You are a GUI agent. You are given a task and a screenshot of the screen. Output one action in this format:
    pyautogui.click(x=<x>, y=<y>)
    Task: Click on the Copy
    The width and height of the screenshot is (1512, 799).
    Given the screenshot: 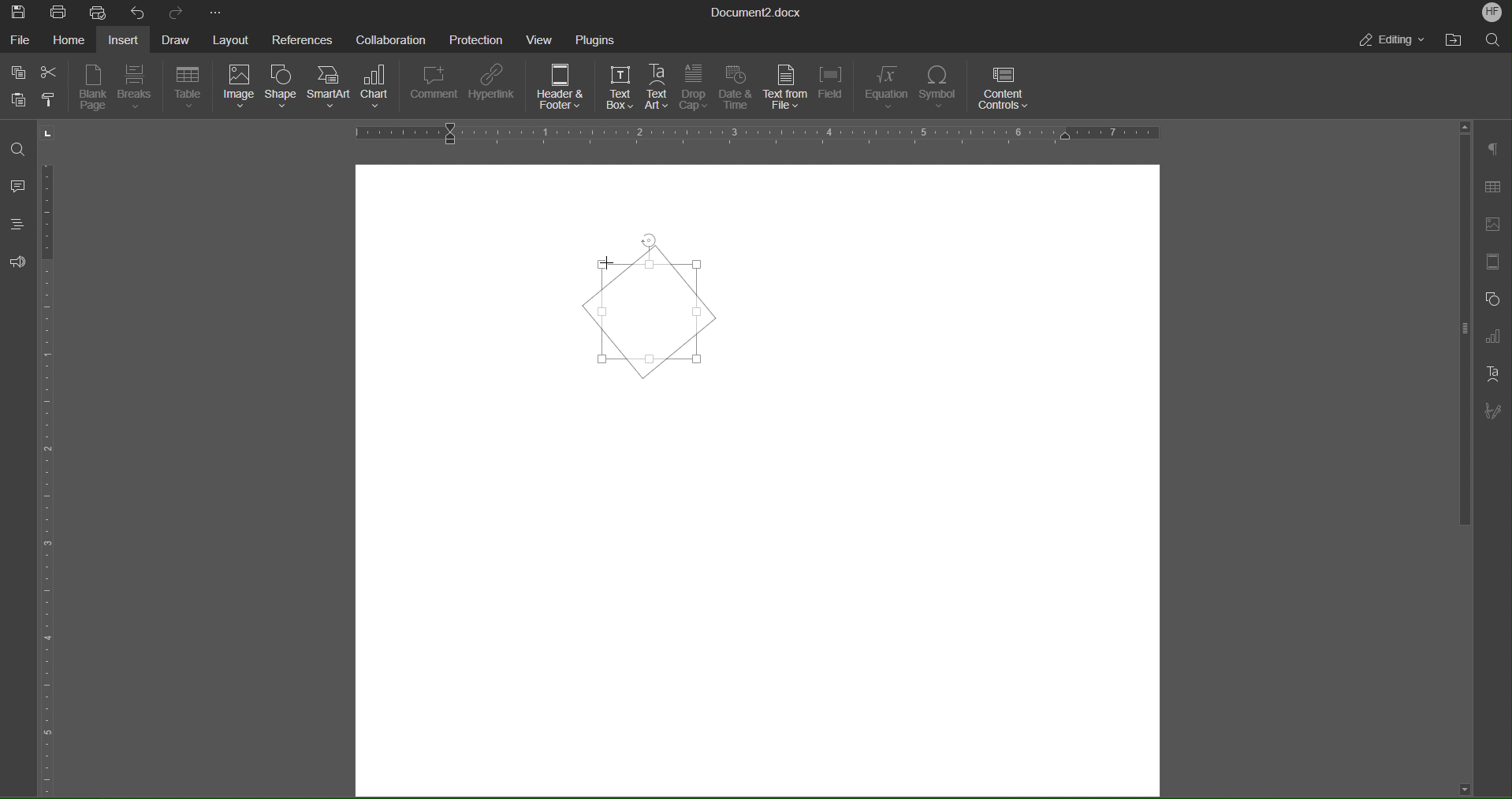 What is the action you would take?
    pyautogui.click(x=17, y=70)
    